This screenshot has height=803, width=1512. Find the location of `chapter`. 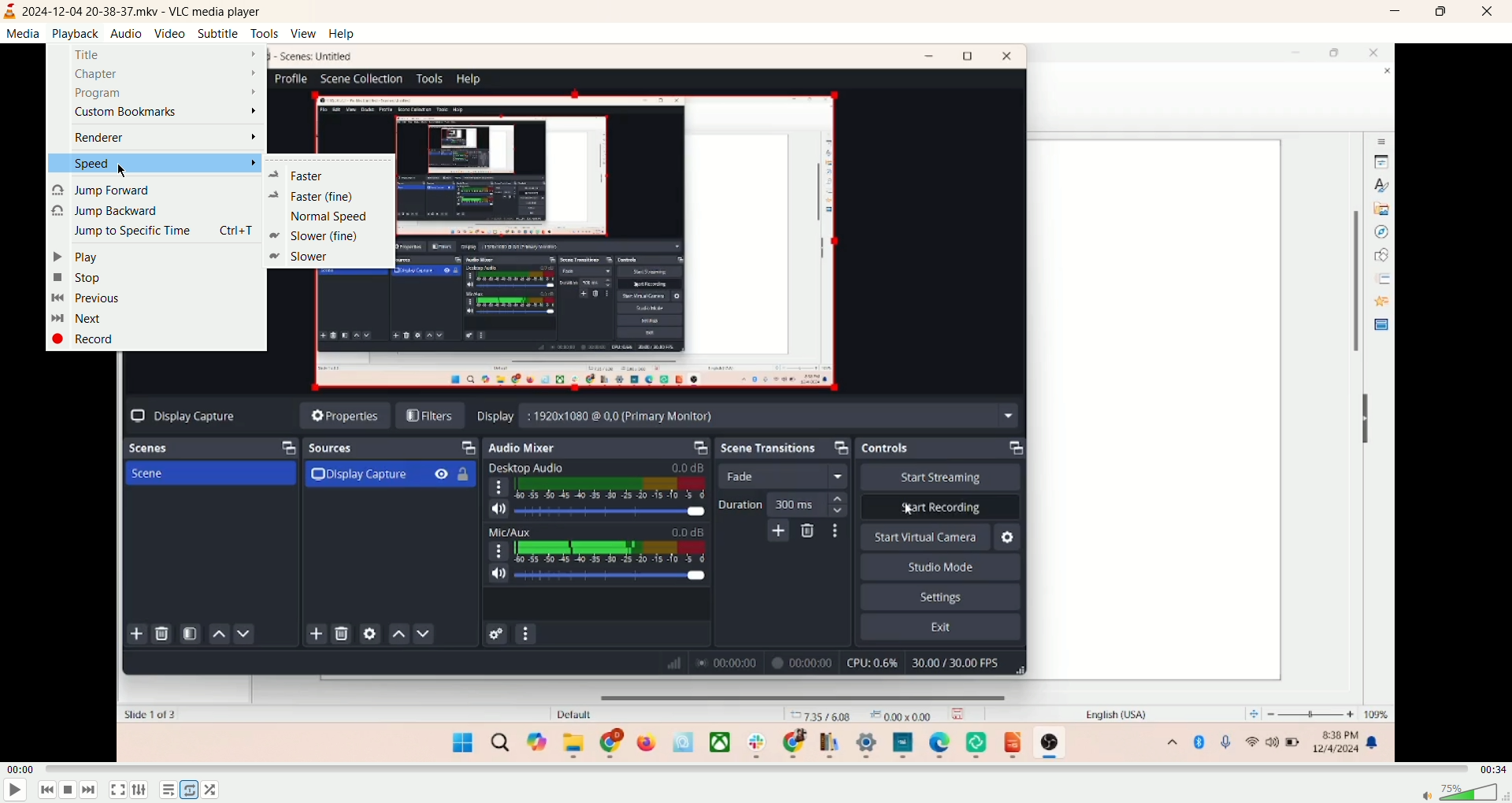

chapter is located at coordinates (165, 75).